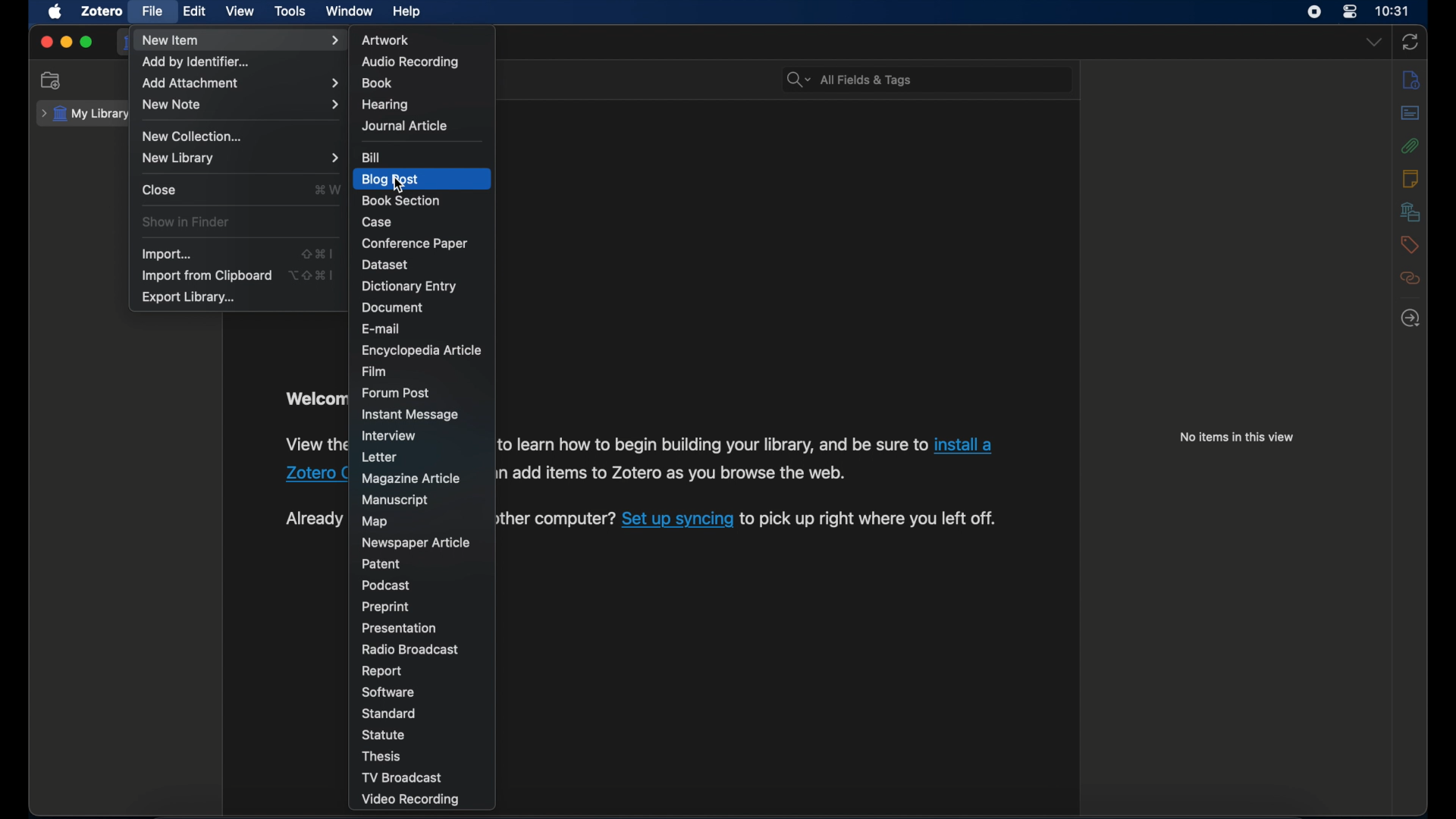 The image size is (1456, 819). What do you see at coordinates (377, 83) in the screenshot?
I see `book` at bounding box center [377, 83].